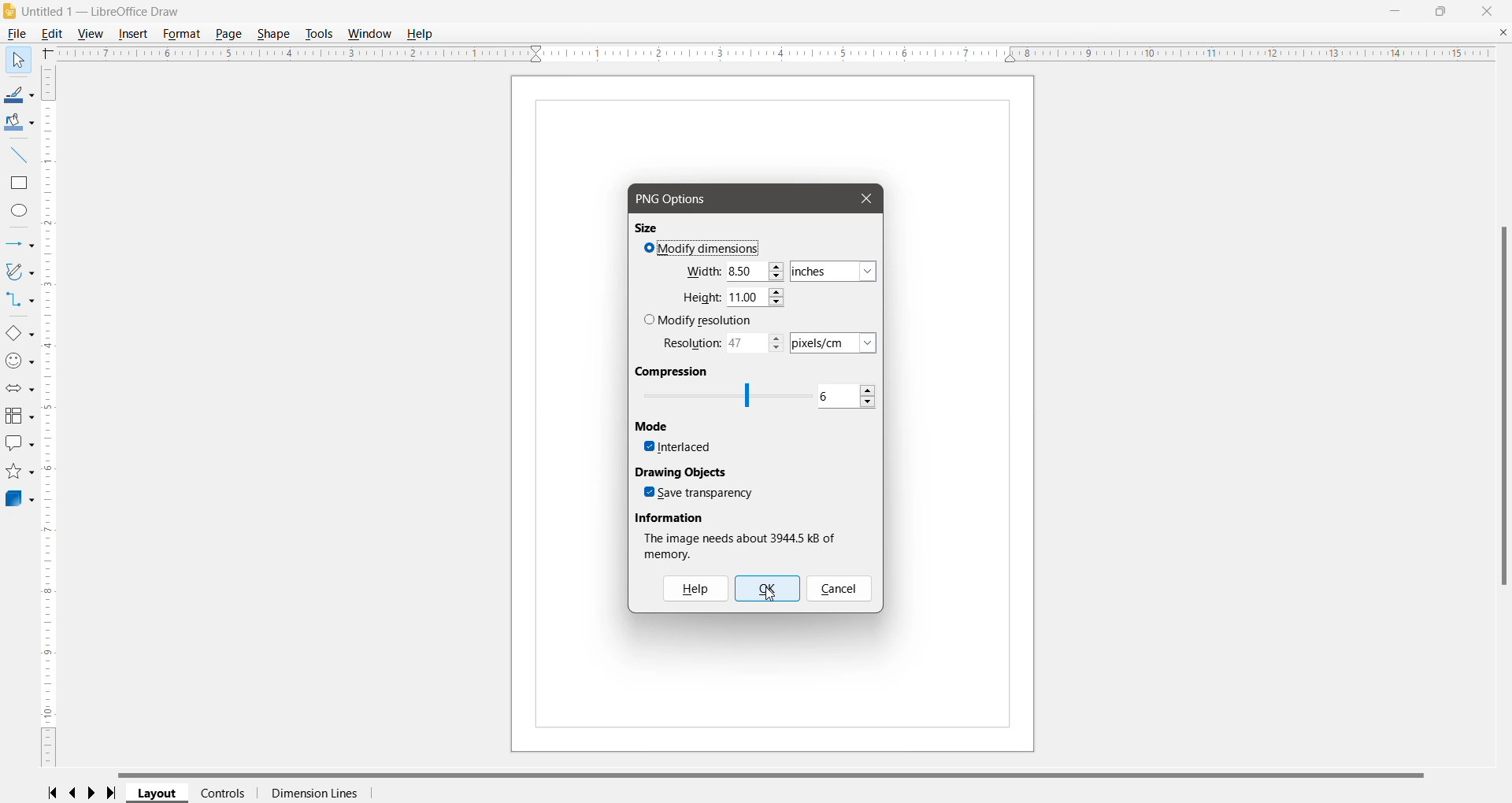 The height and width of the screenshot is (803, 1512). What do you see at coordinates (757, 396) in the screenshot?
I see `Set Compression level` at bounding box center [757, 396].